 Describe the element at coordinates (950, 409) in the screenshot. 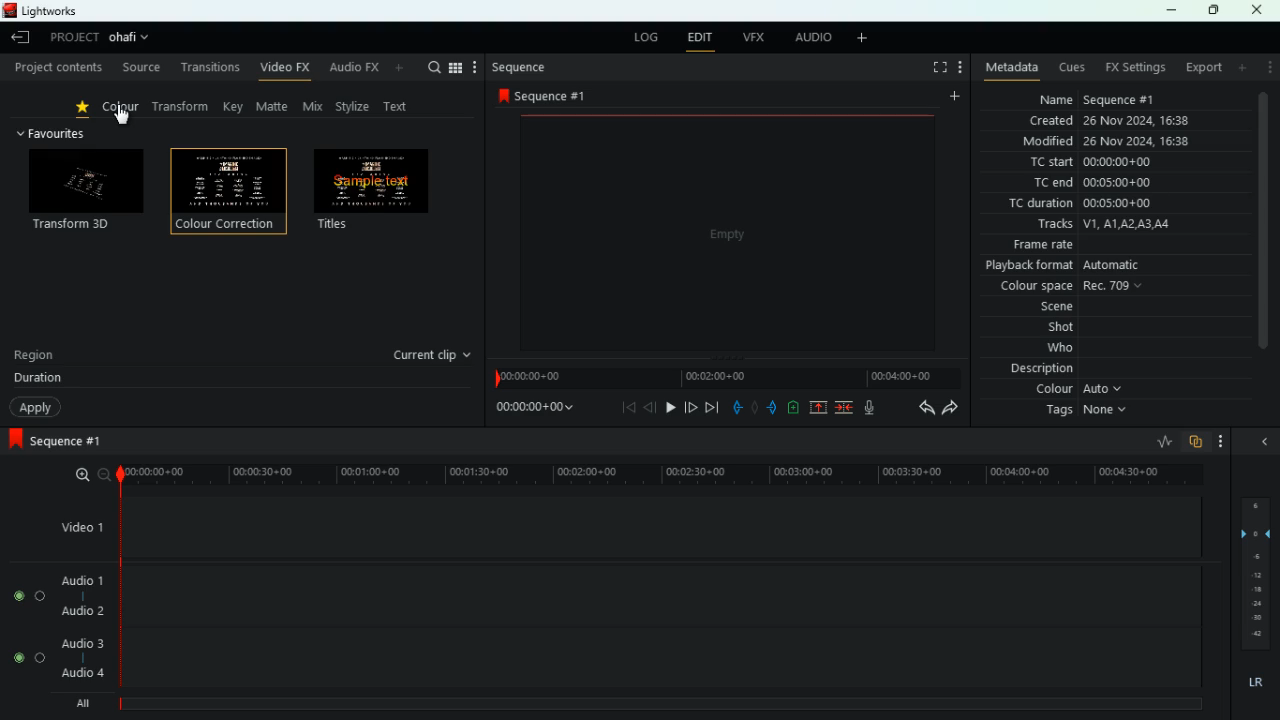

I see `forward` at that location.